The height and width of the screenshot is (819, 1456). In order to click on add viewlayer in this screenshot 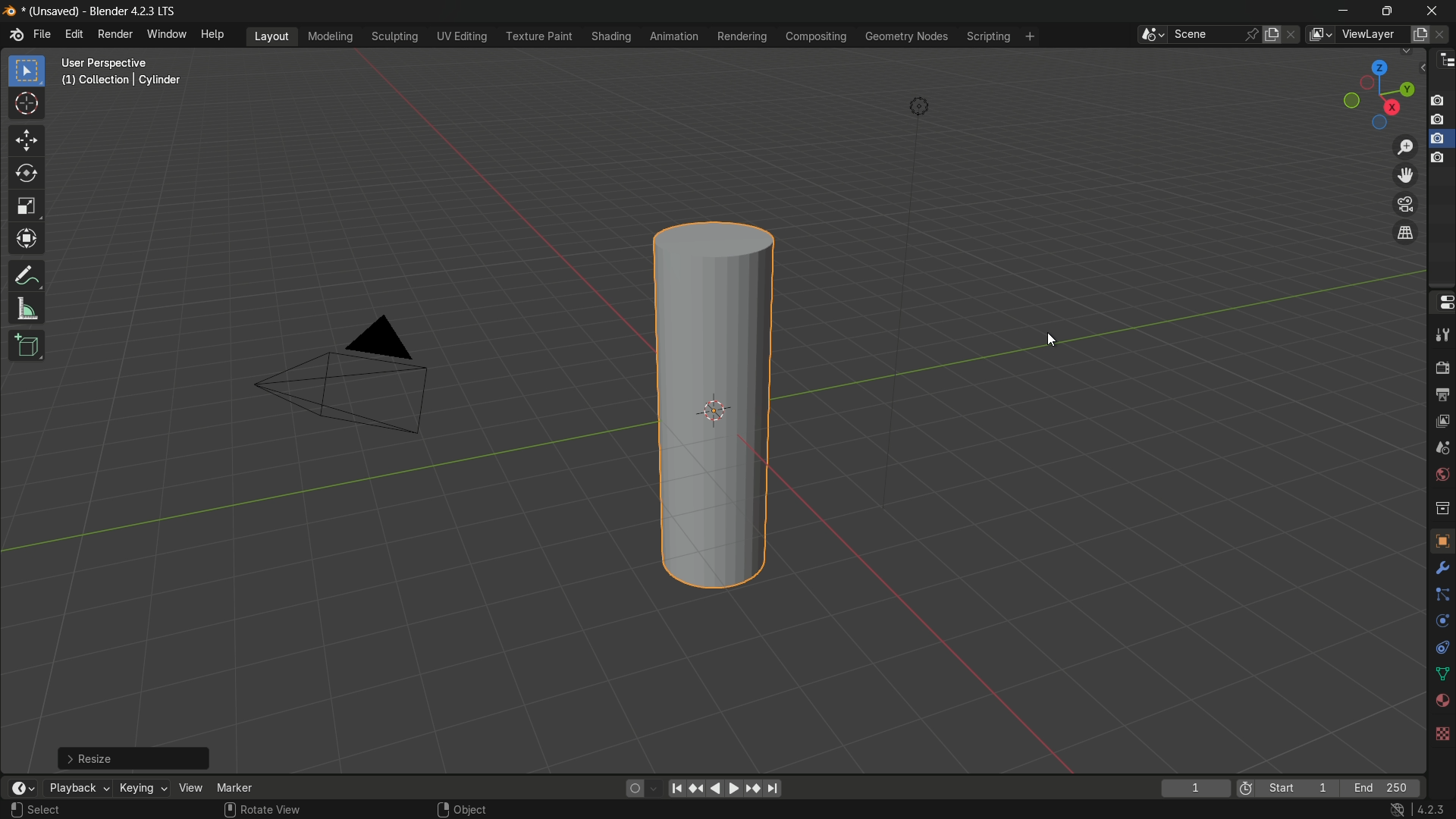, I will do `click(1420, 35)`.